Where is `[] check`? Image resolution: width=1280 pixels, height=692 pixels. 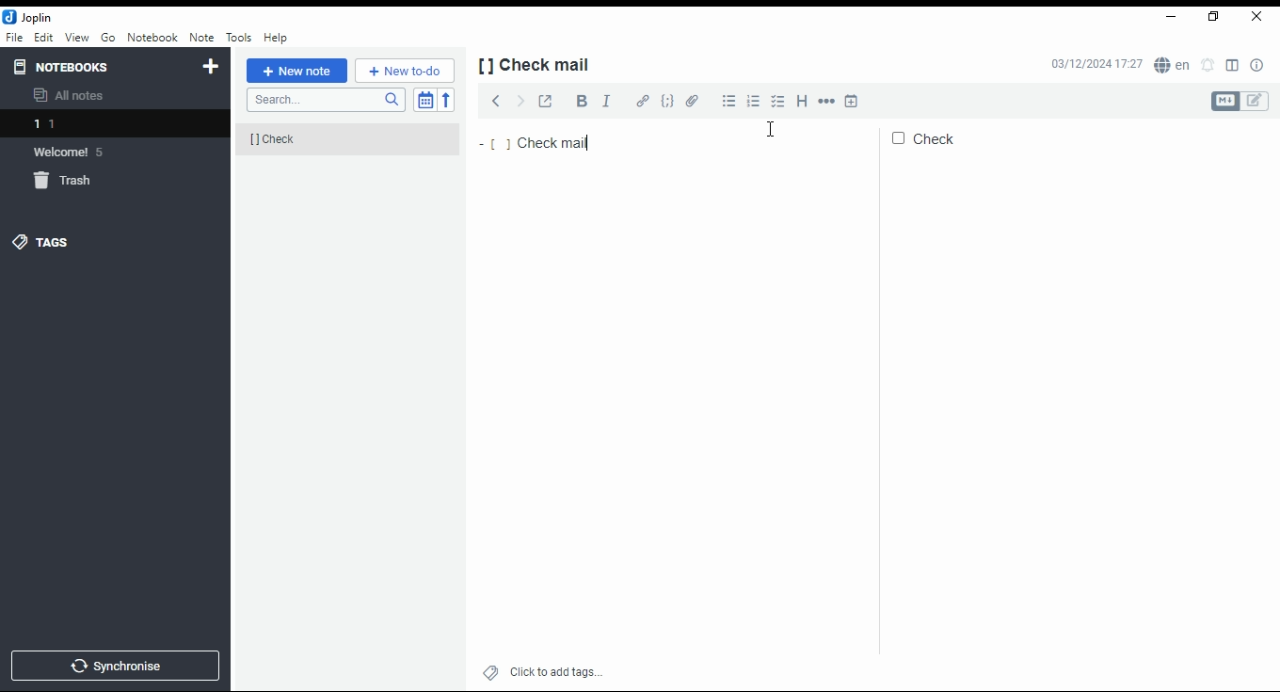 [] check is located at coordinates (332, 139).